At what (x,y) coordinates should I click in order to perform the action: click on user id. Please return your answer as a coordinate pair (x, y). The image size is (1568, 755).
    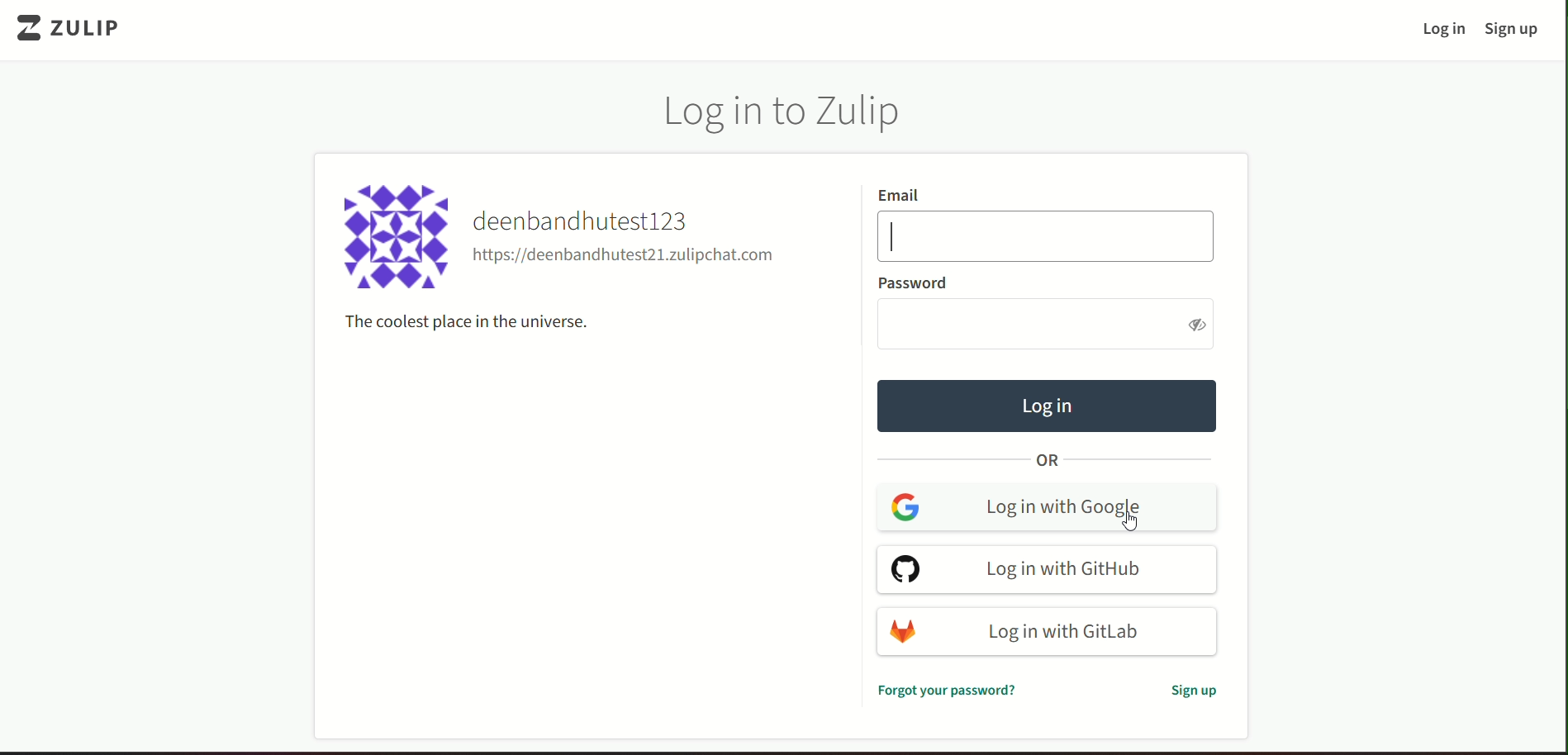
    Looking at the image, I should click on (625, 257).